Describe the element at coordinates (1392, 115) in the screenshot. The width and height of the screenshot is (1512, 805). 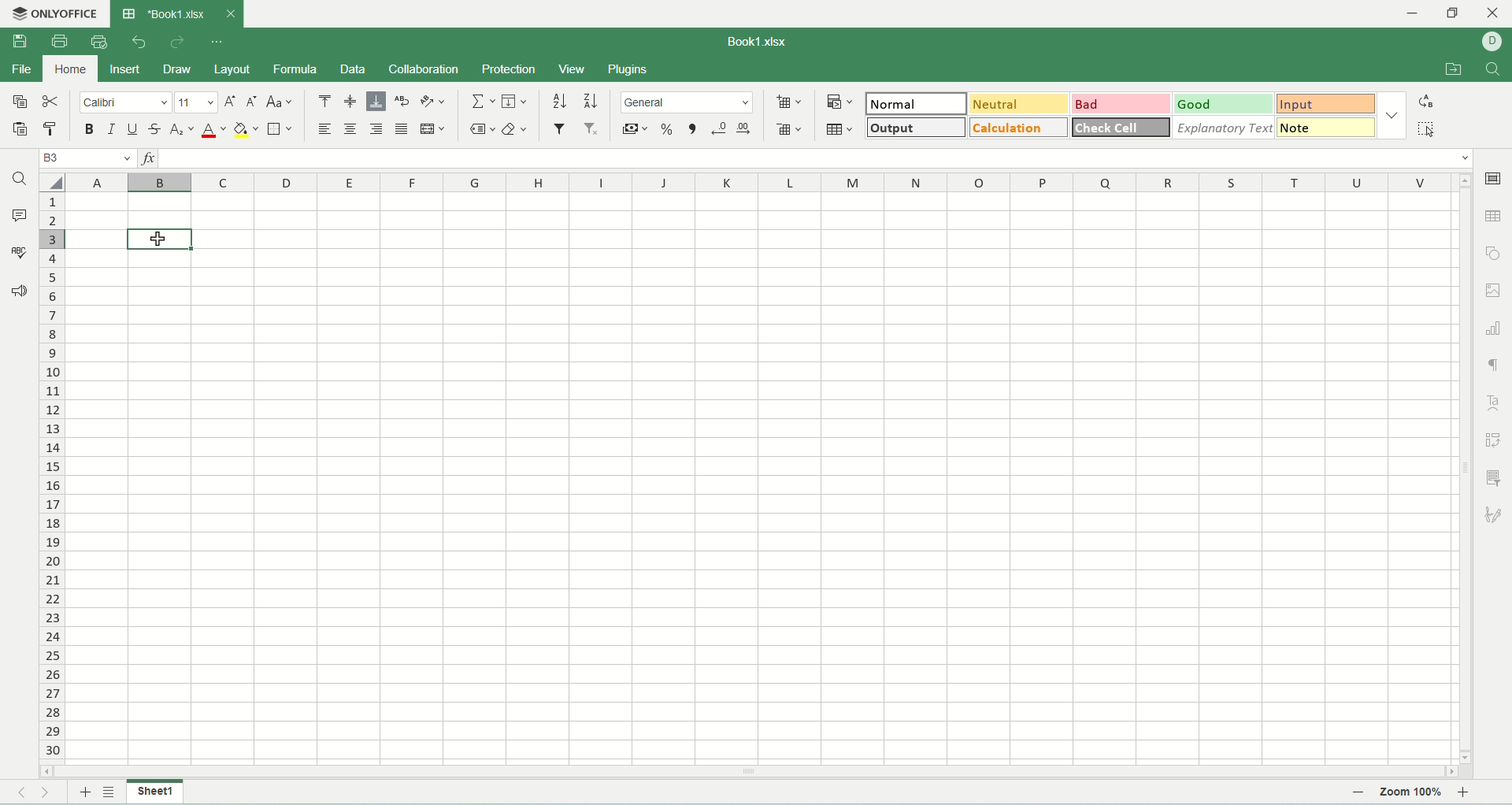
I see `cell style` at that location.